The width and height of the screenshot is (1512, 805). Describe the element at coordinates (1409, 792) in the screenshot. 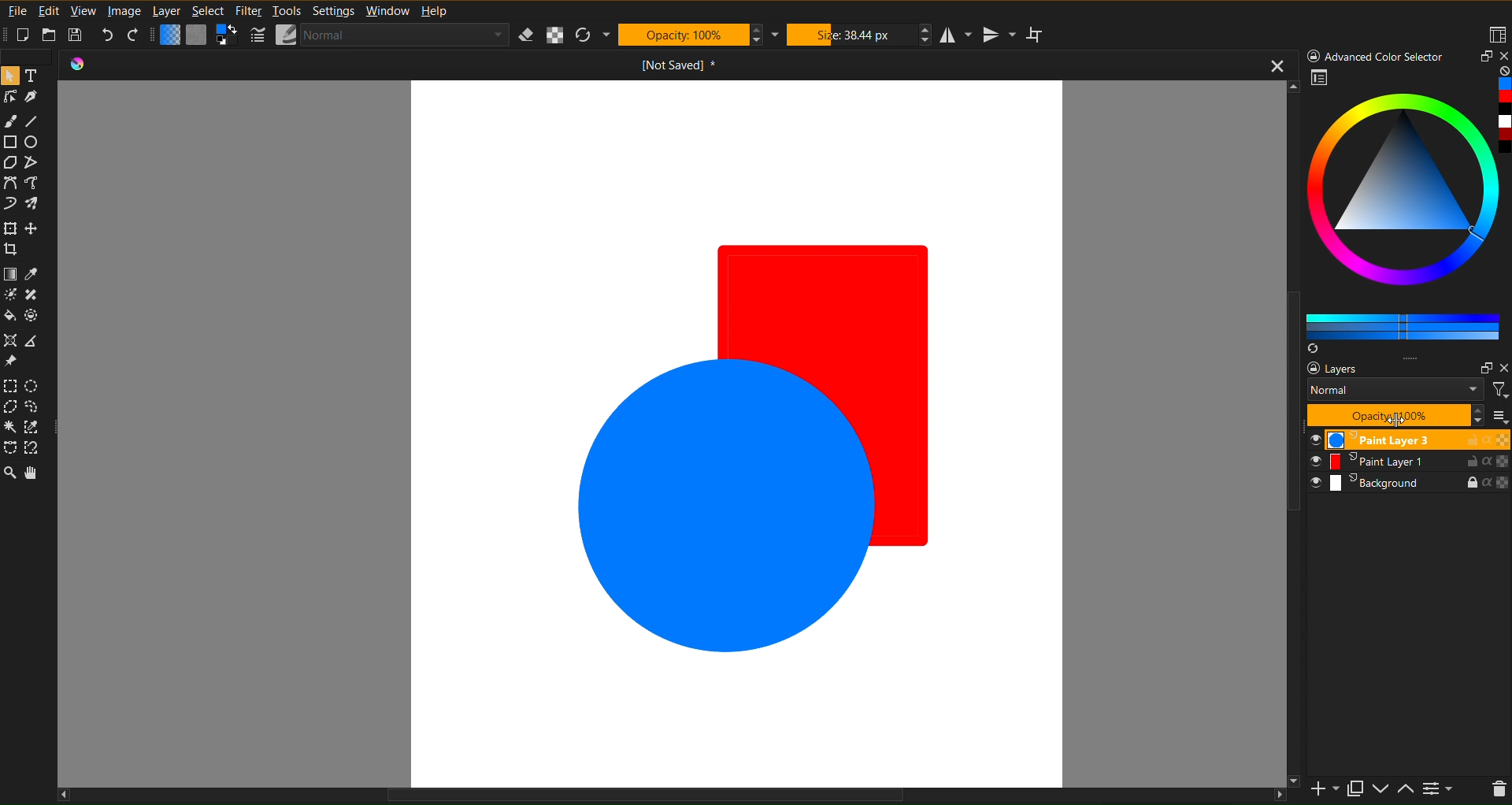

I see `up` at that location.